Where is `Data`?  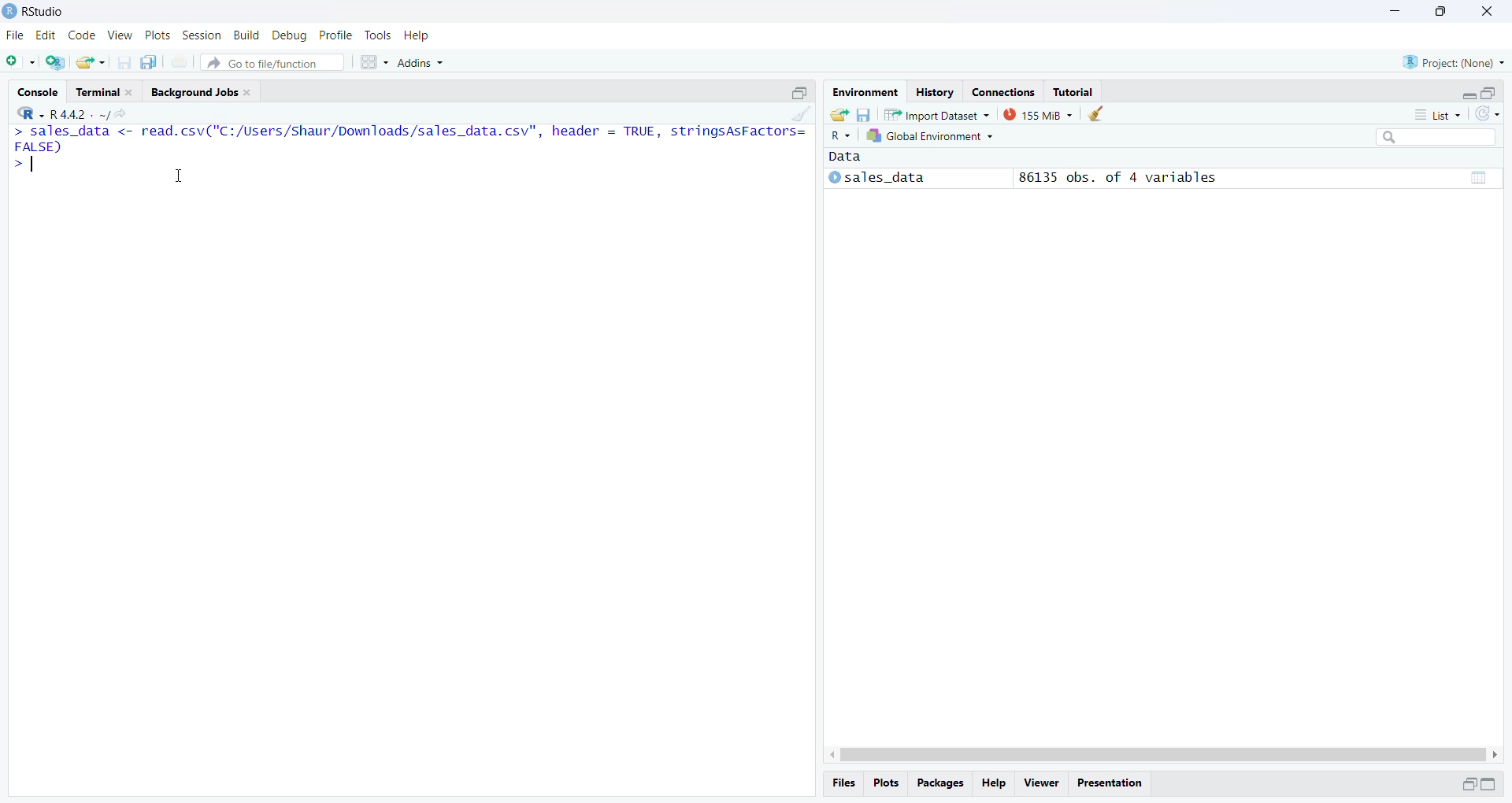 Data is located at coordinates (846, 157).